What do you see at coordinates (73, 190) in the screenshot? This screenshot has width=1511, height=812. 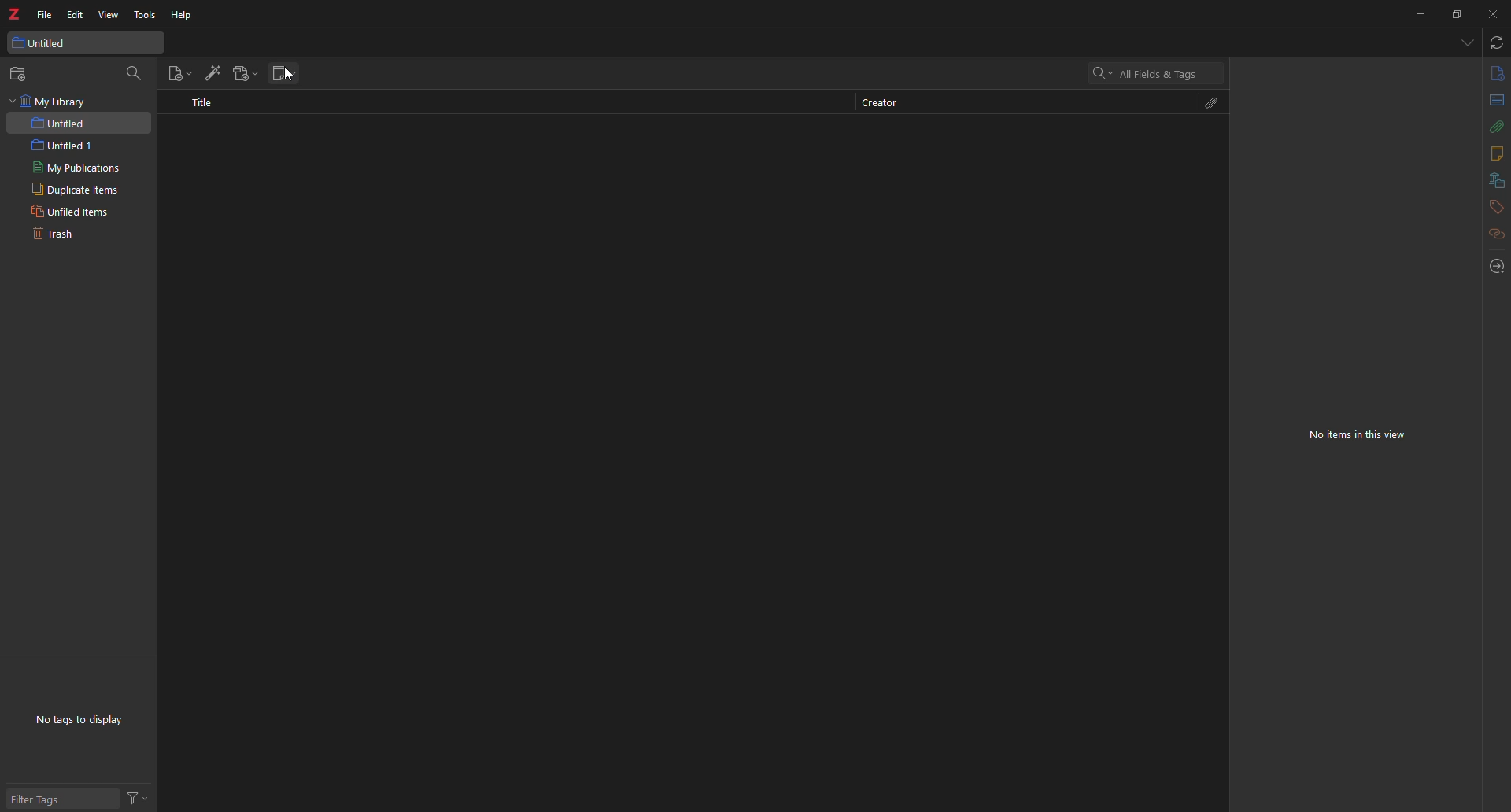 I see `duplicate` at bounding box center [73, 190].